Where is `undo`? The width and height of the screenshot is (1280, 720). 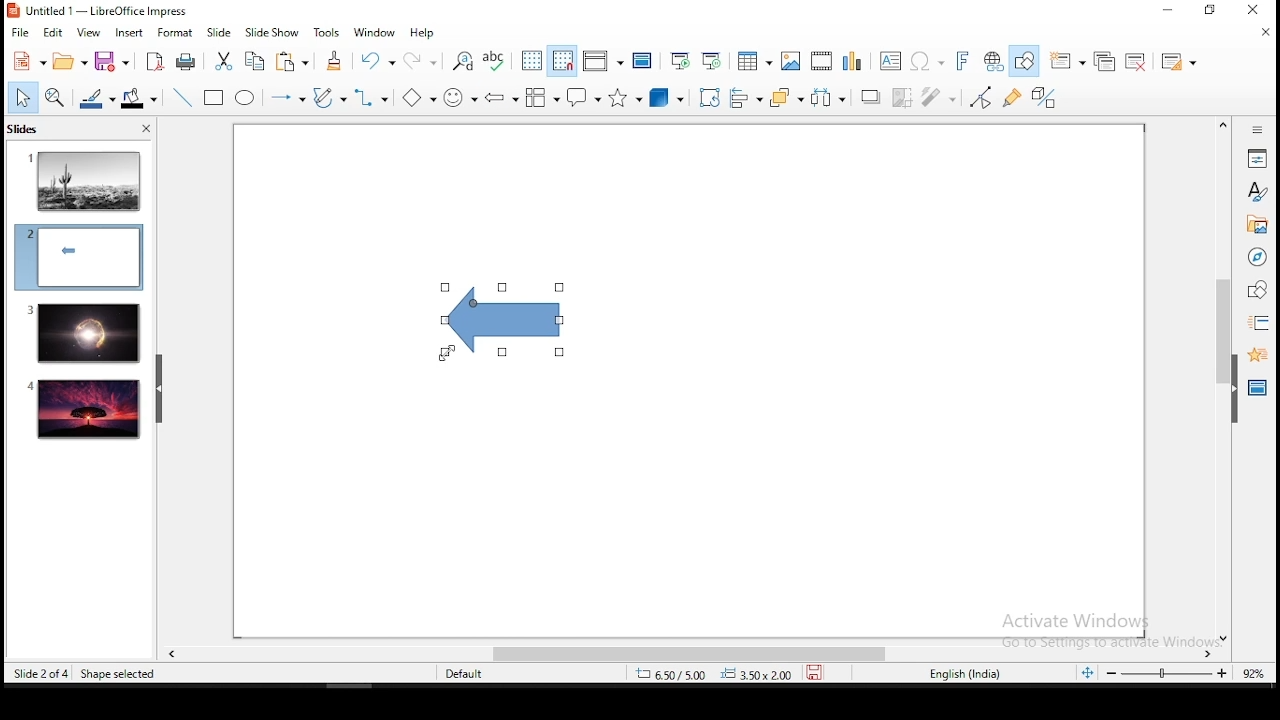 undo is located at coordinates (379, 61).